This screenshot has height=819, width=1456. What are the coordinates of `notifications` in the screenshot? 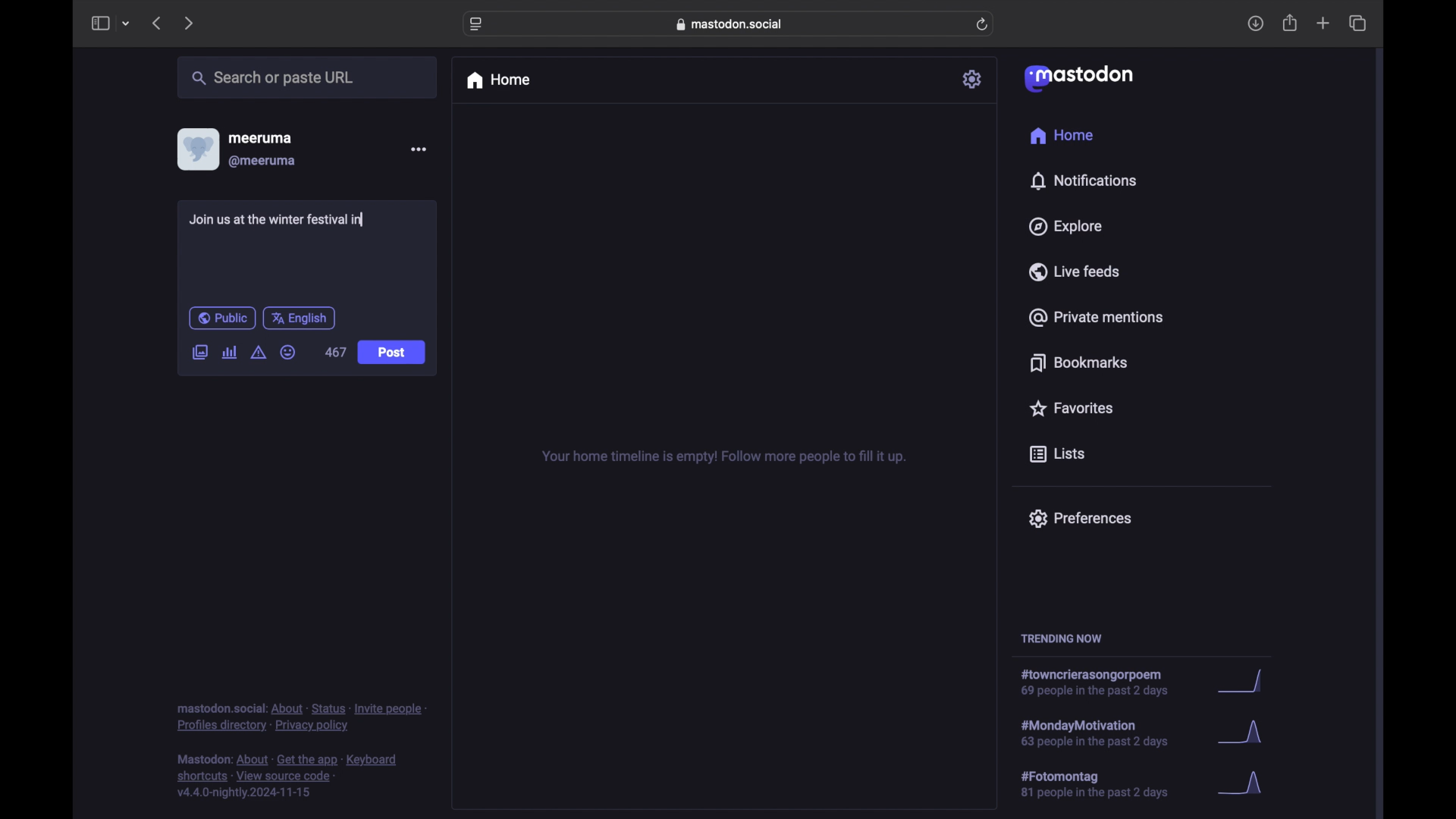 It's located at (1083, 180).